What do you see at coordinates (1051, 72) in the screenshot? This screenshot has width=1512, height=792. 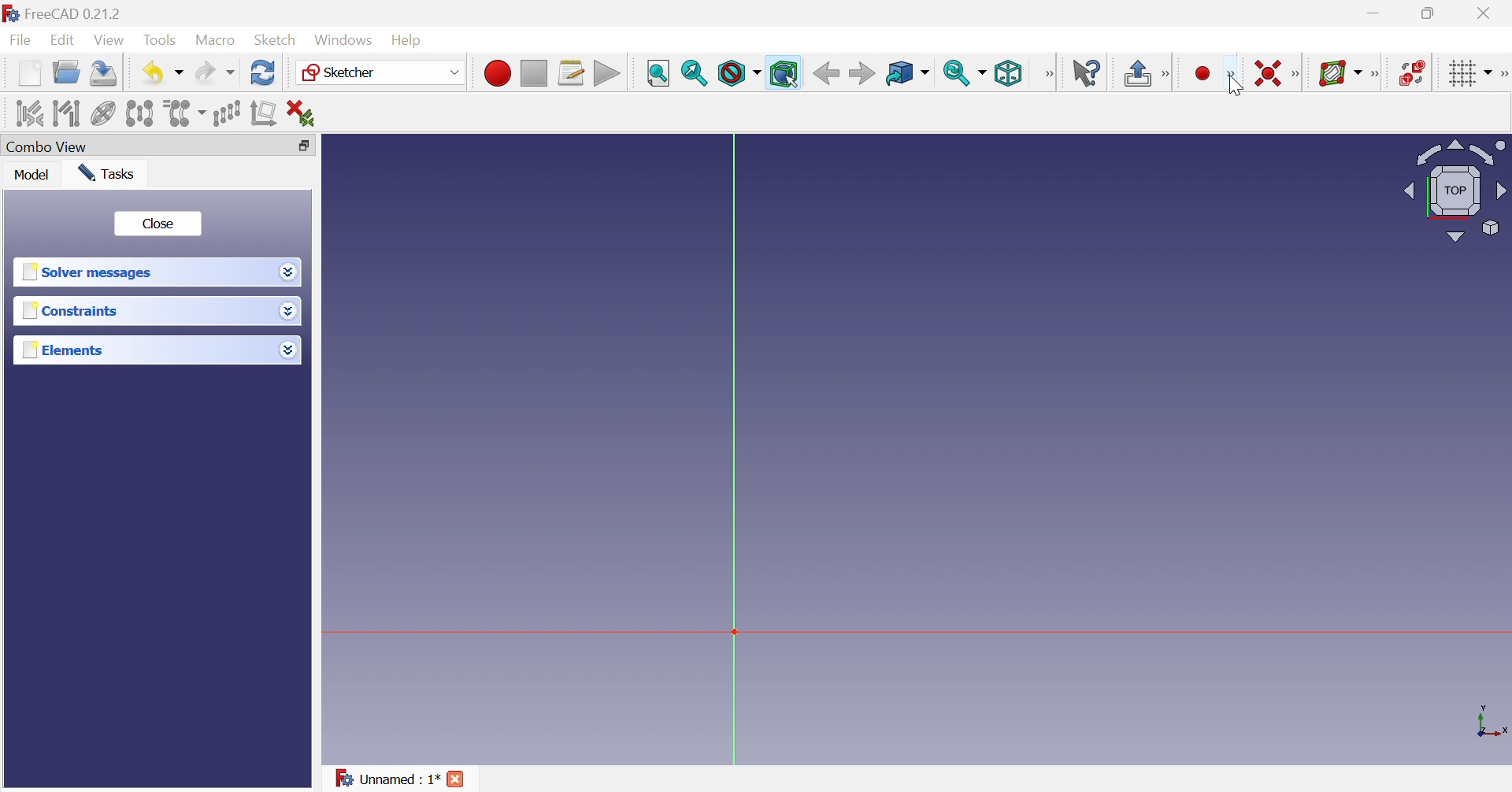 I see `[View]` at bounding box center [1051, 72].